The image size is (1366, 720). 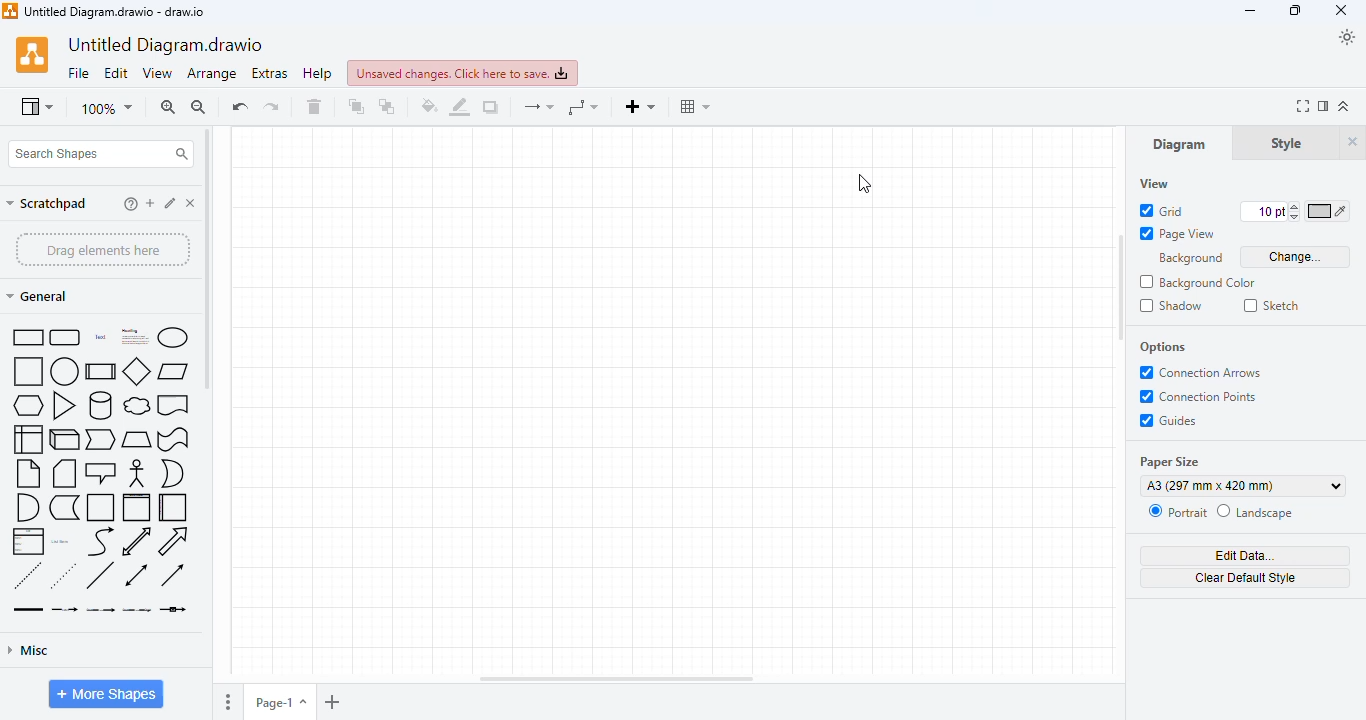 I want to click on actor, so click(x=137, y=473).